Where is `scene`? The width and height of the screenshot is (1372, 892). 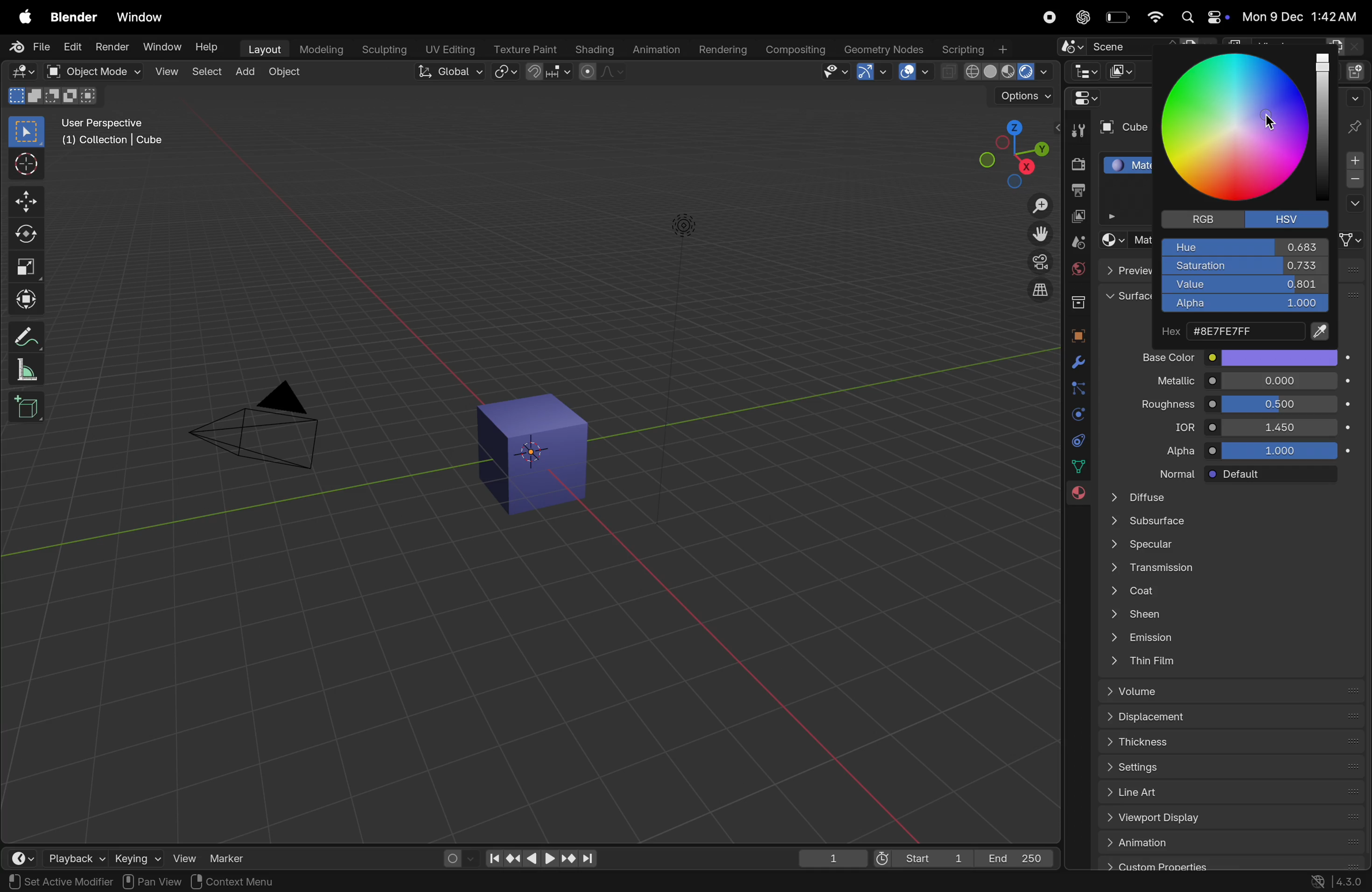 scene is located at coordinates (1132, 44).